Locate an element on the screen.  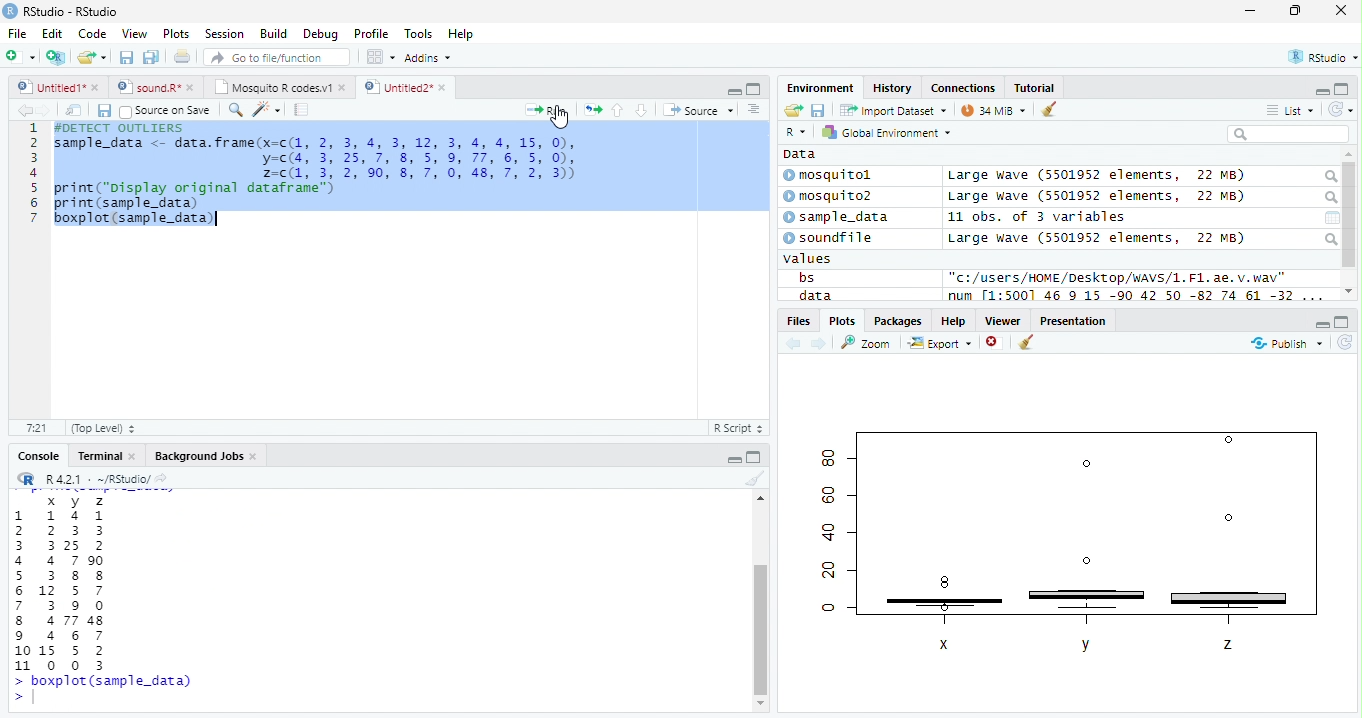
Go backward is located at coordinates (794, 345).